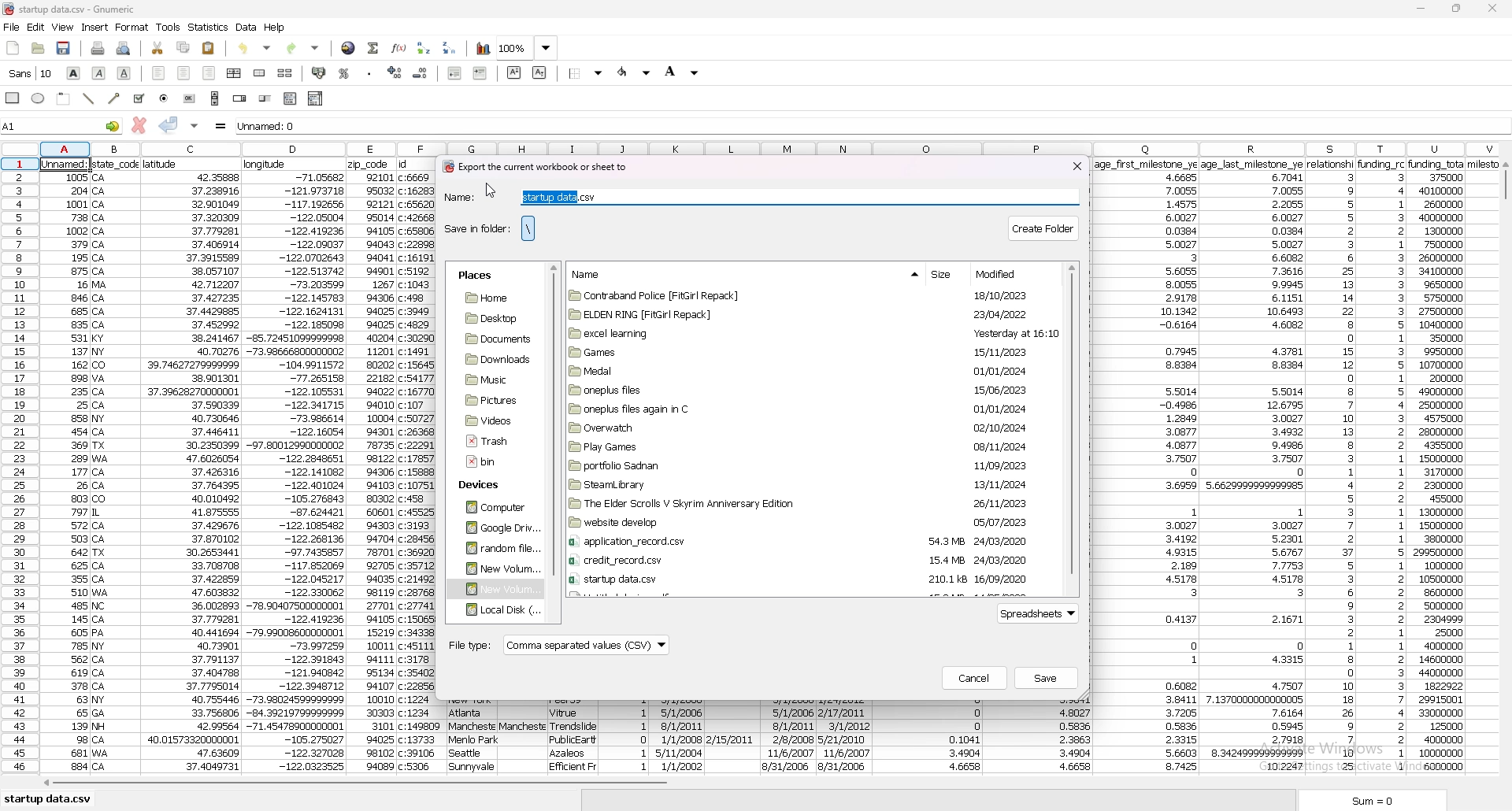  Describe the element at coordinates (495, 528) in the screenshot. I see `folder` at that location.